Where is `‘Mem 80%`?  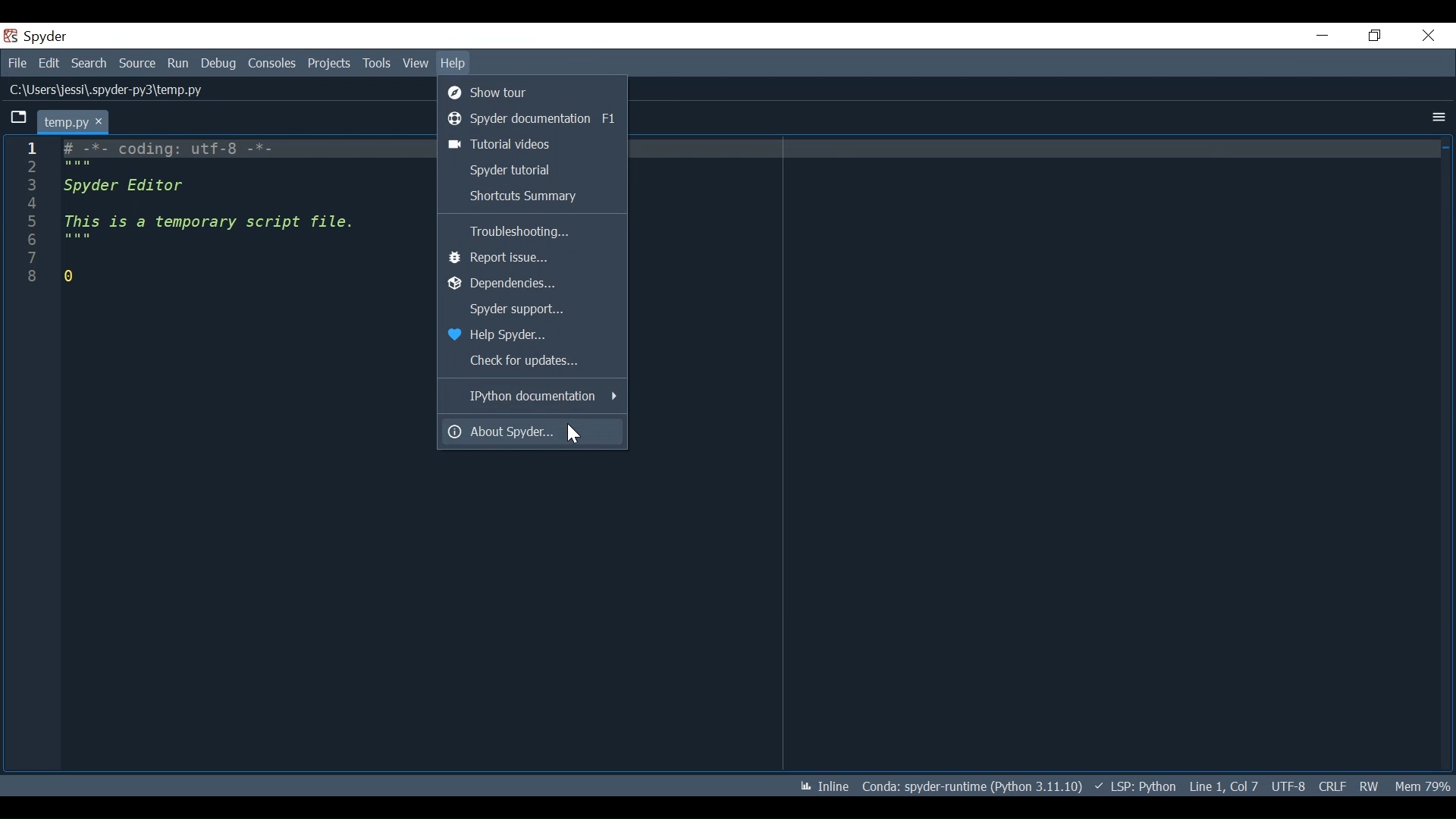 ‘Mem 80% is located at coordinates (1426, 786).